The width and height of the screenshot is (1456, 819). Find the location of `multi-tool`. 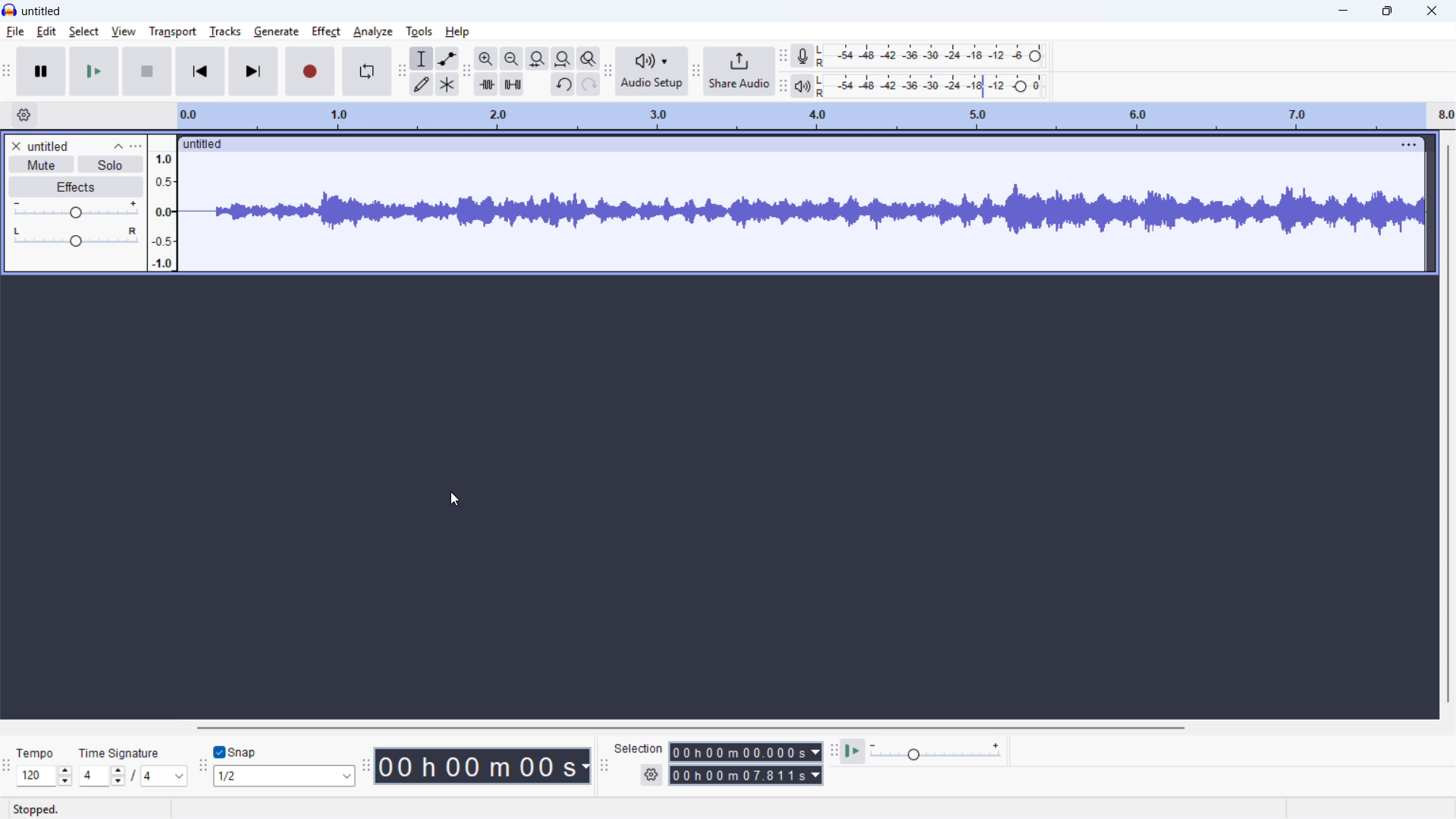

multi-tool is located at coordinates (446, 85).